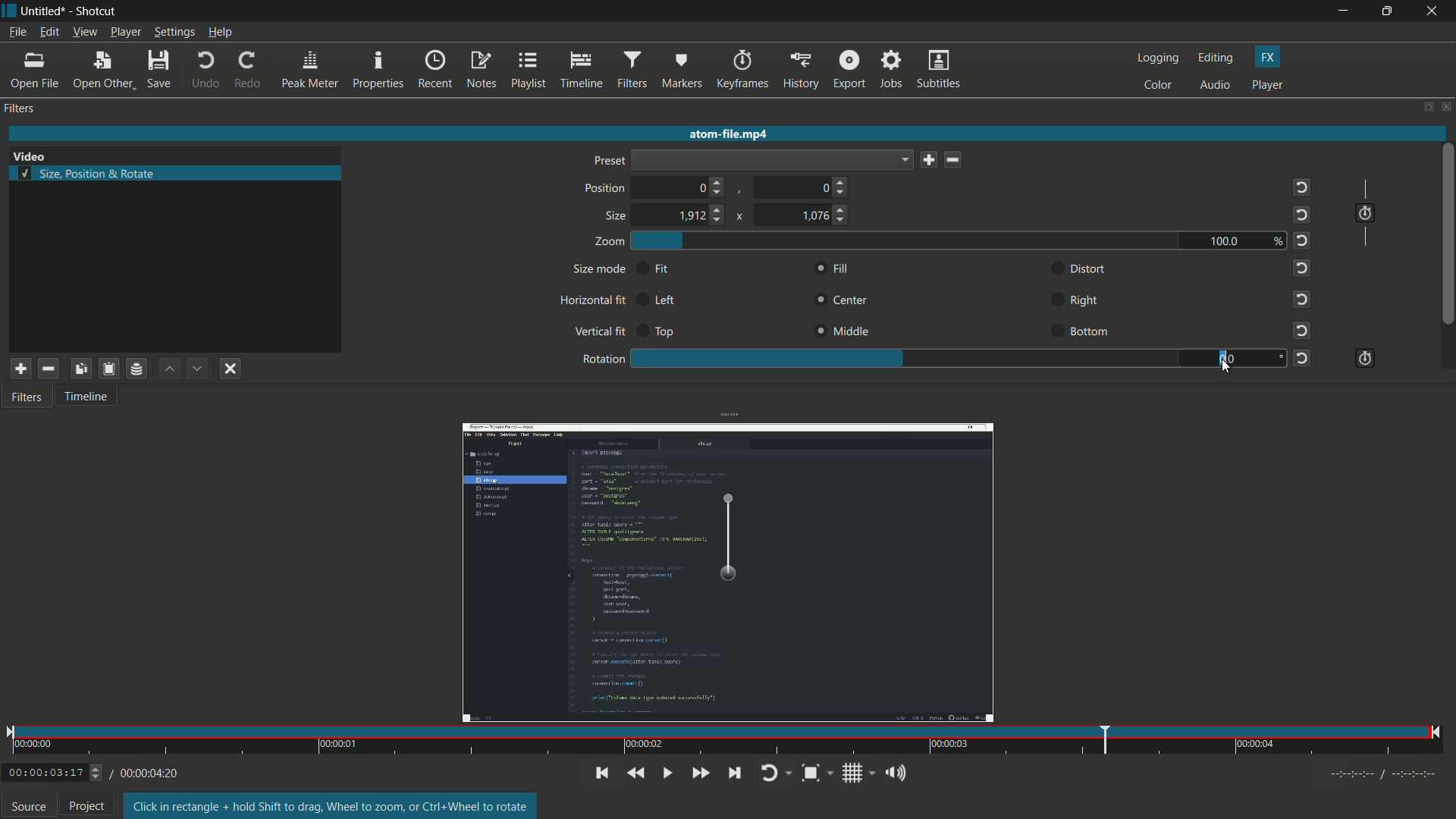 The image size is (1456, 819). What do you see at coordinates (601, 360) in the screenshot?
I see `rotation` at bounding box center [601, 360].